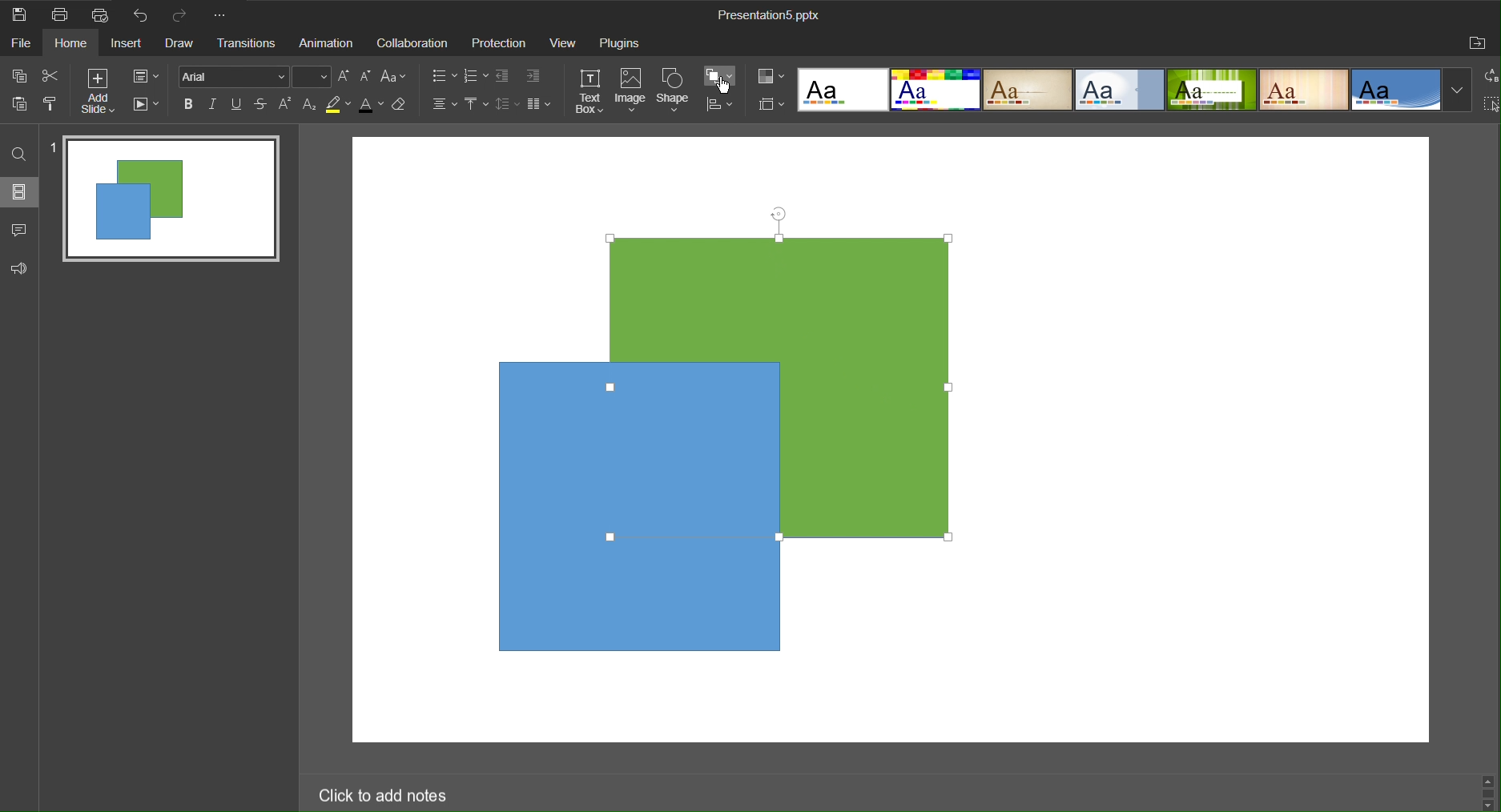 This screenshot has height=812, width=1501. Describe the element at coordinates (145, 17) in the screenshot. I see `Undo` at that location.